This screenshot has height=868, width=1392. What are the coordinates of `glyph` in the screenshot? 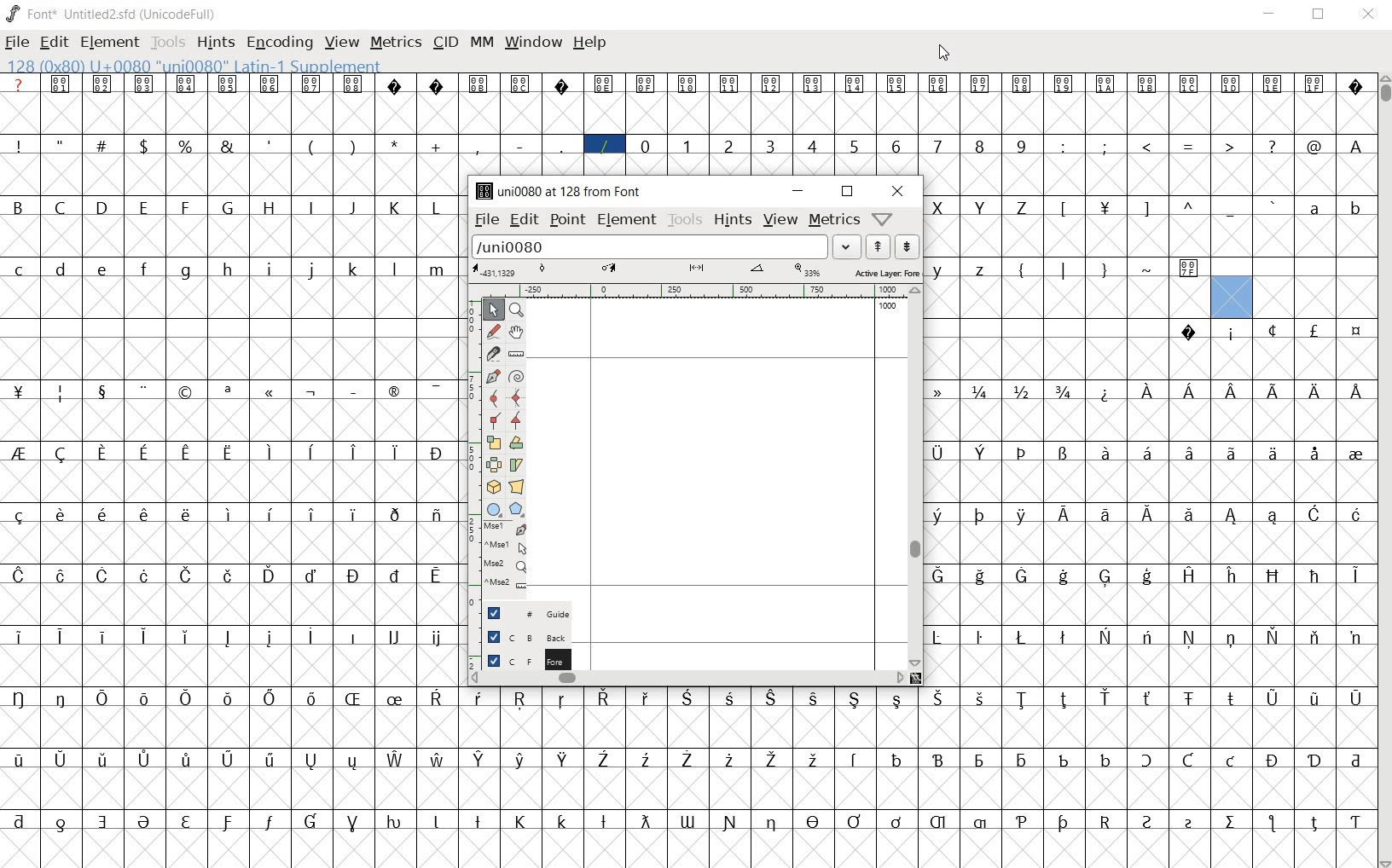 It's located at (1355, 699).